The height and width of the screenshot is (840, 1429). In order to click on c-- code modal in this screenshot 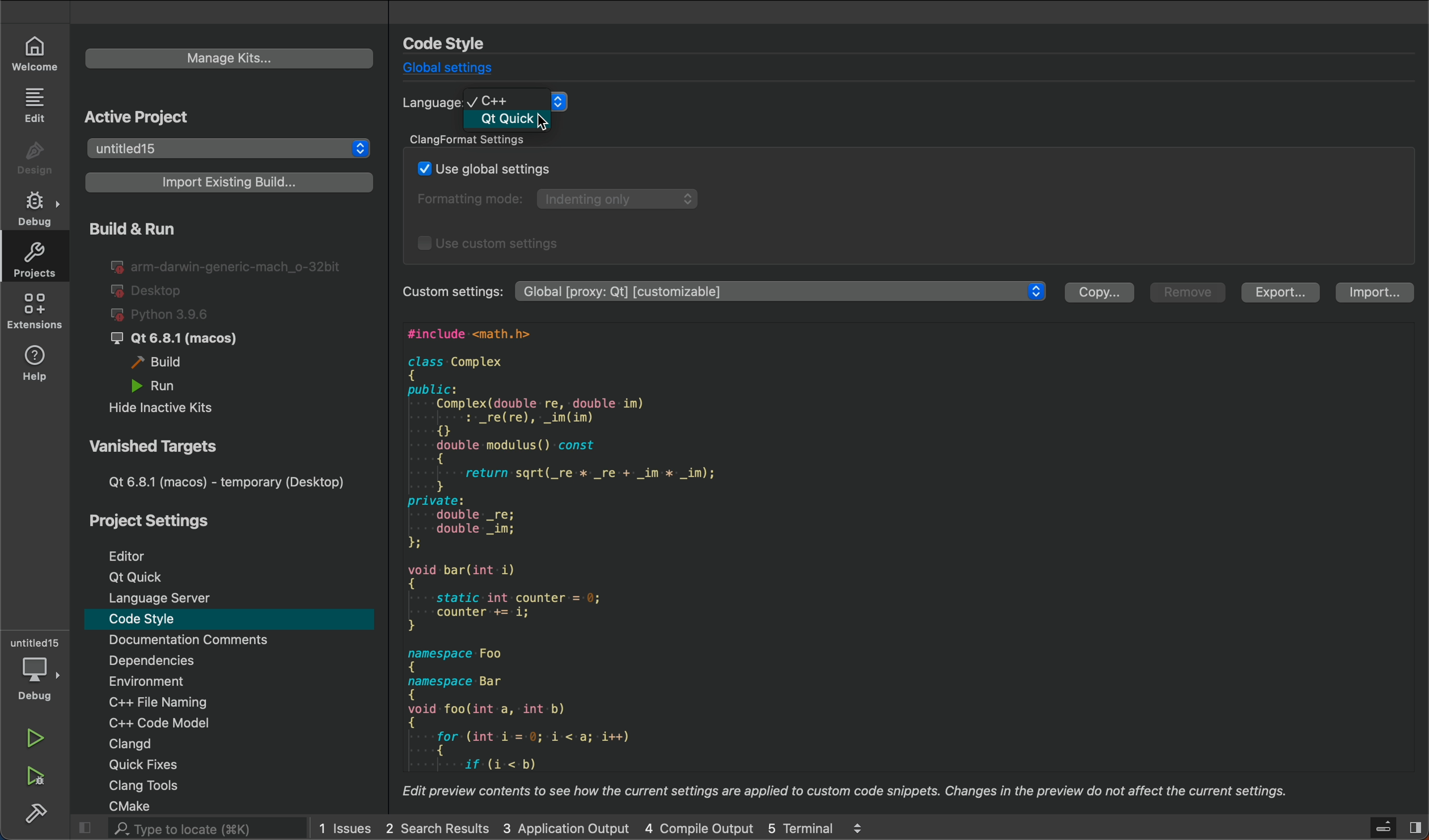, I will do `click(174, 721)`.